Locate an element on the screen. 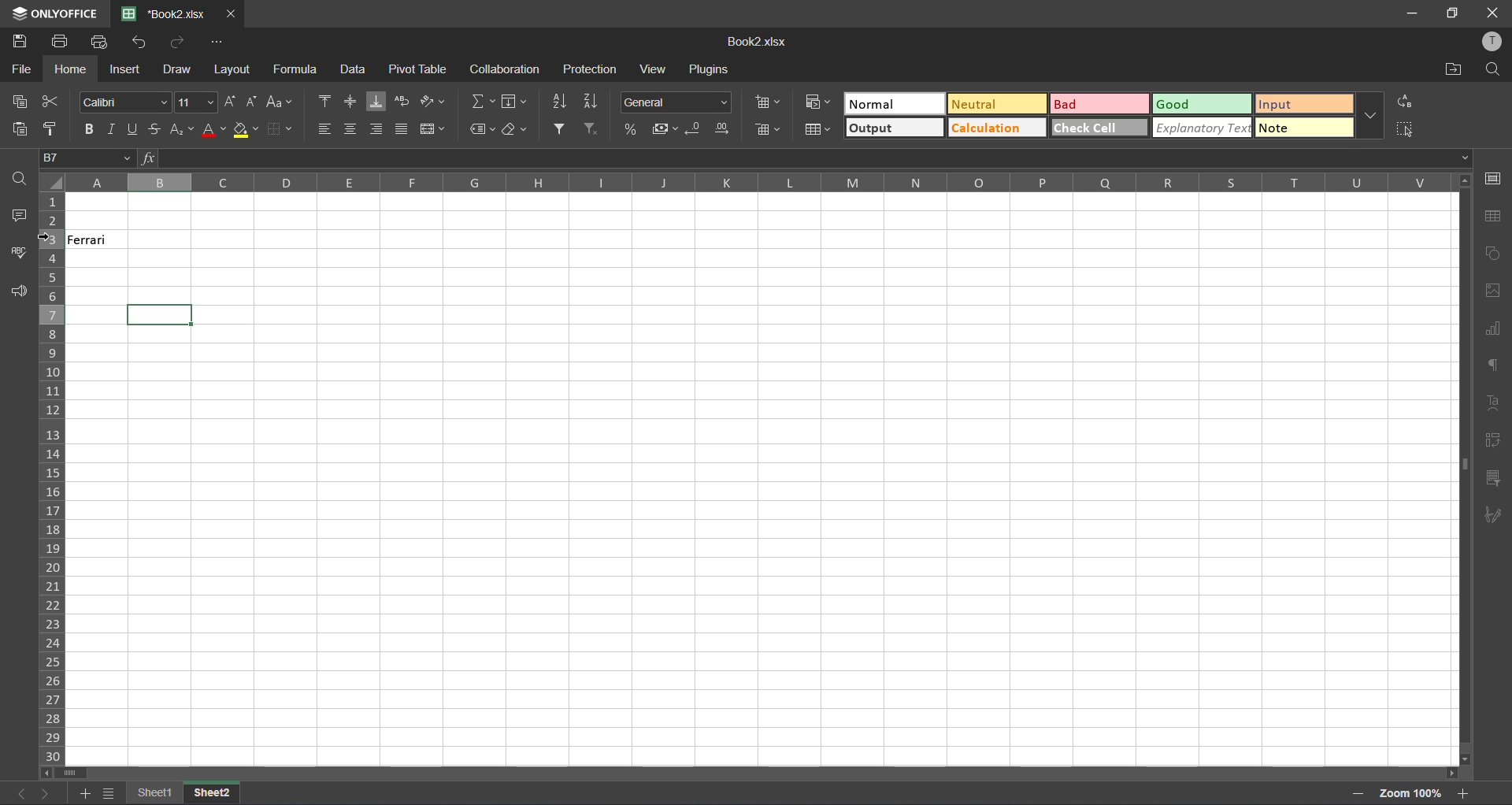 This screenshot has height=805, width=1512. orientation is located at coordinates (432, 101).